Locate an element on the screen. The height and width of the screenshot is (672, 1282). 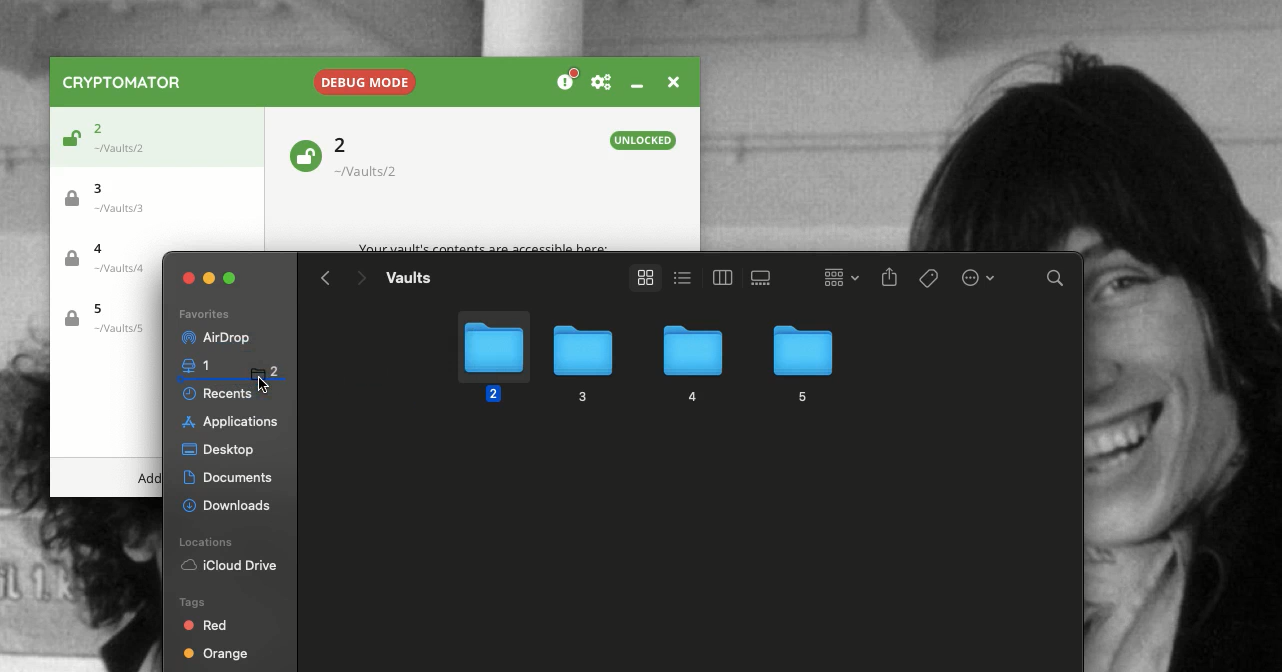
Vault 4 is located at coordinates (112, 261).